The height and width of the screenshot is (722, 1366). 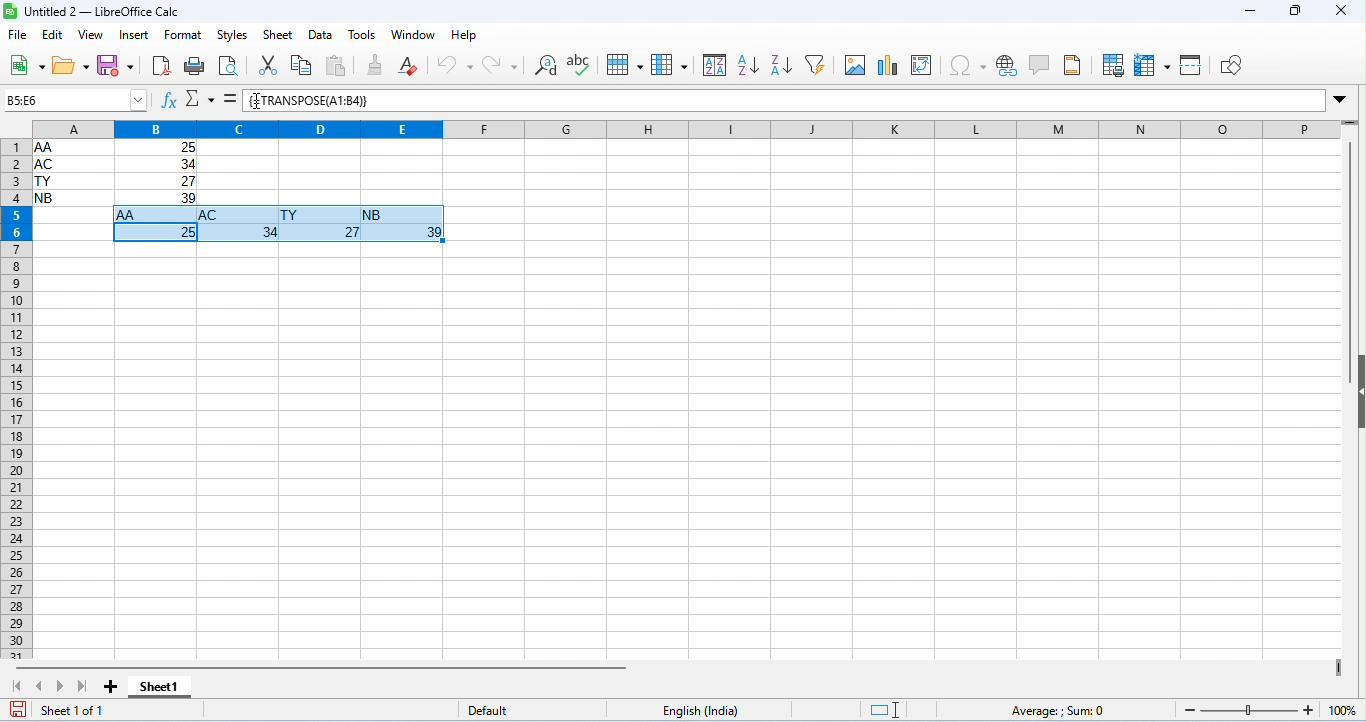 What do you see at coordinates (71, 68) in the screenshot?
I see `open` at bounding box center [71, 68].